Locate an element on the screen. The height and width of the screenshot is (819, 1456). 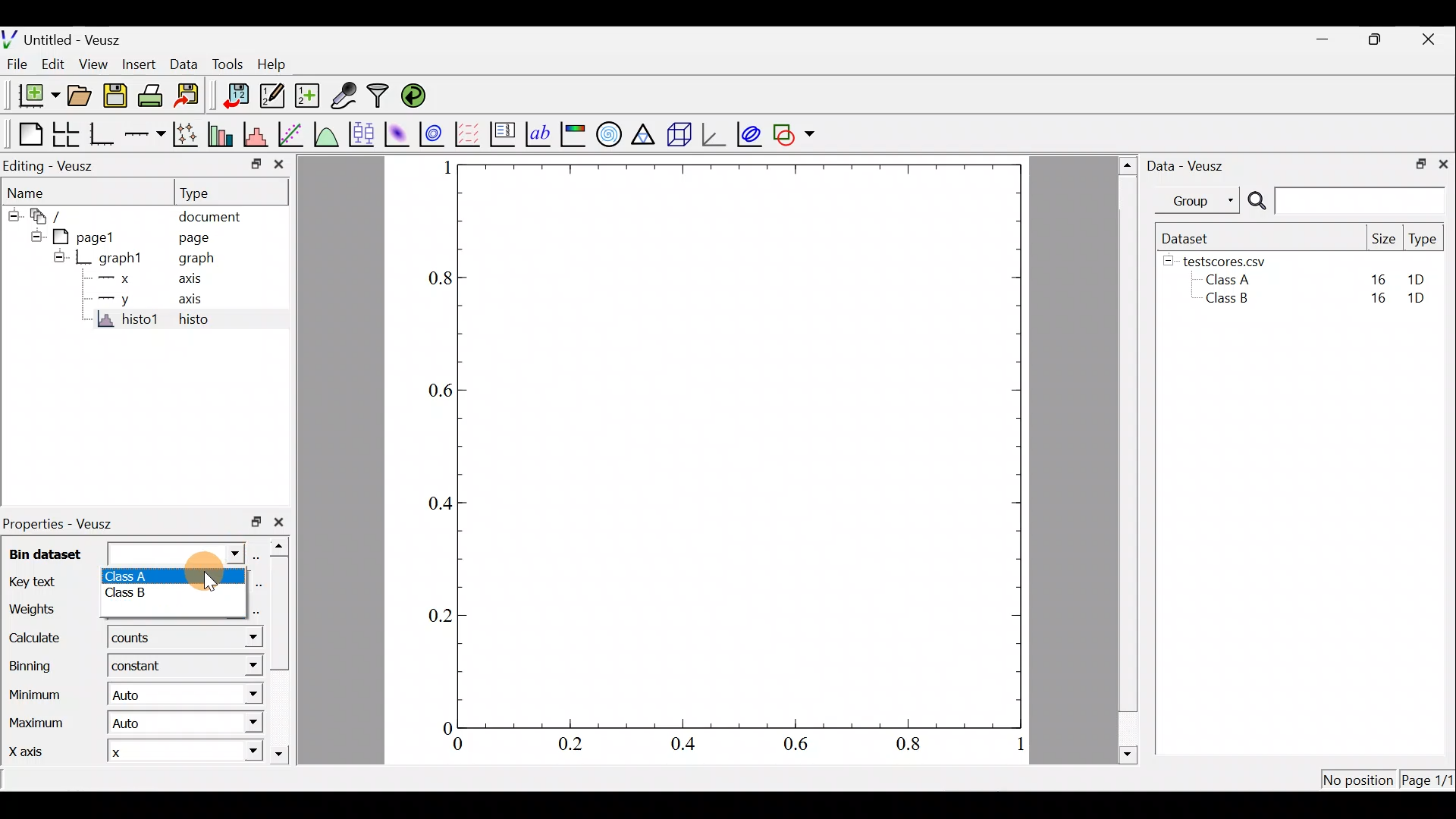
0.8 is located at coordinates (908, 746).